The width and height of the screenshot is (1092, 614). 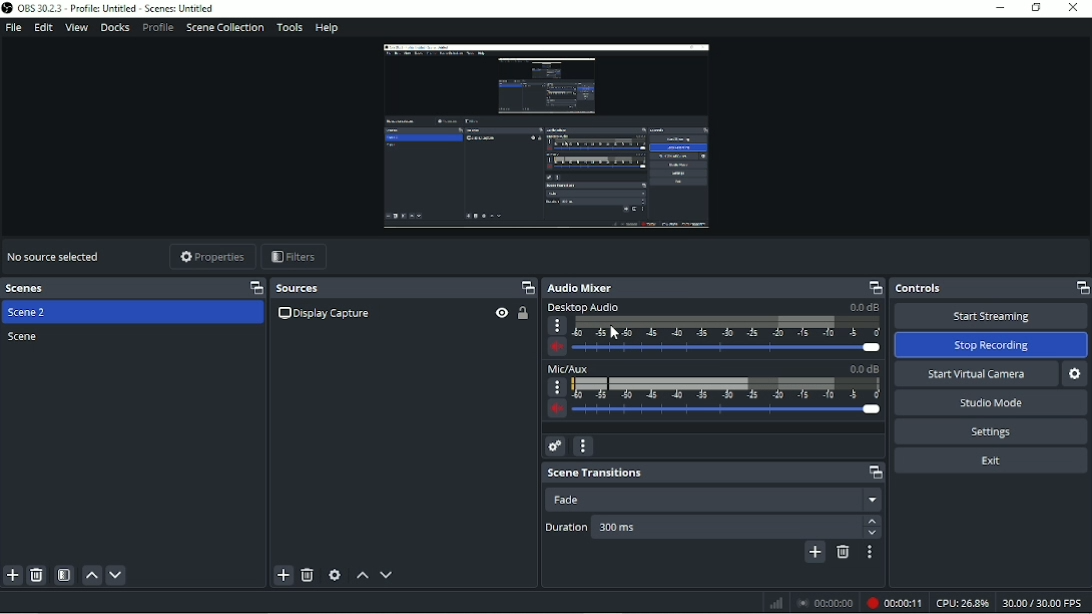 I want to click on Add scene, so click(x=13, y=575).